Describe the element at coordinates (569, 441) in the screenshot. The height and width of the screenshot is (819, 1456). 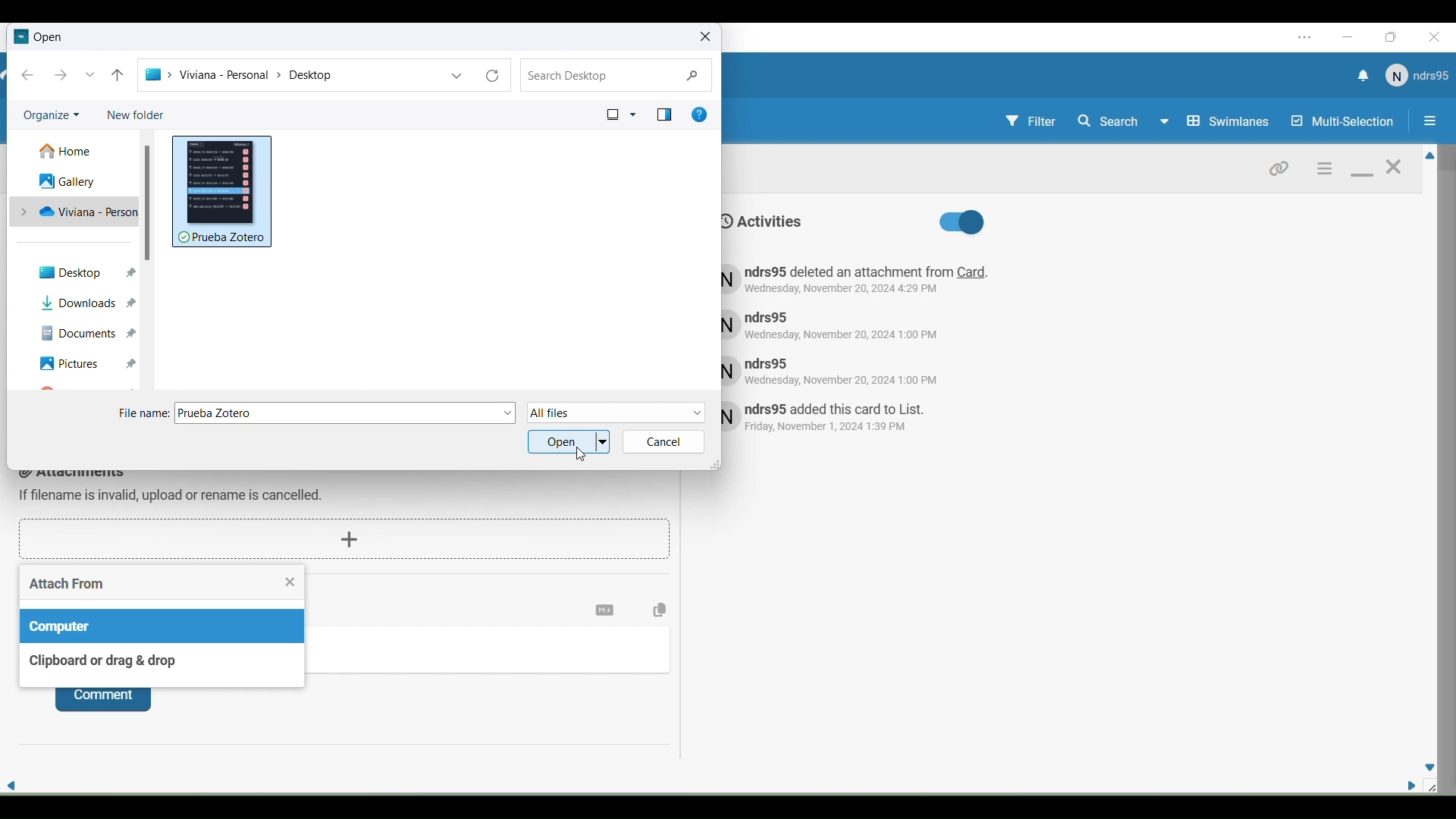
I see `Open` at that location.